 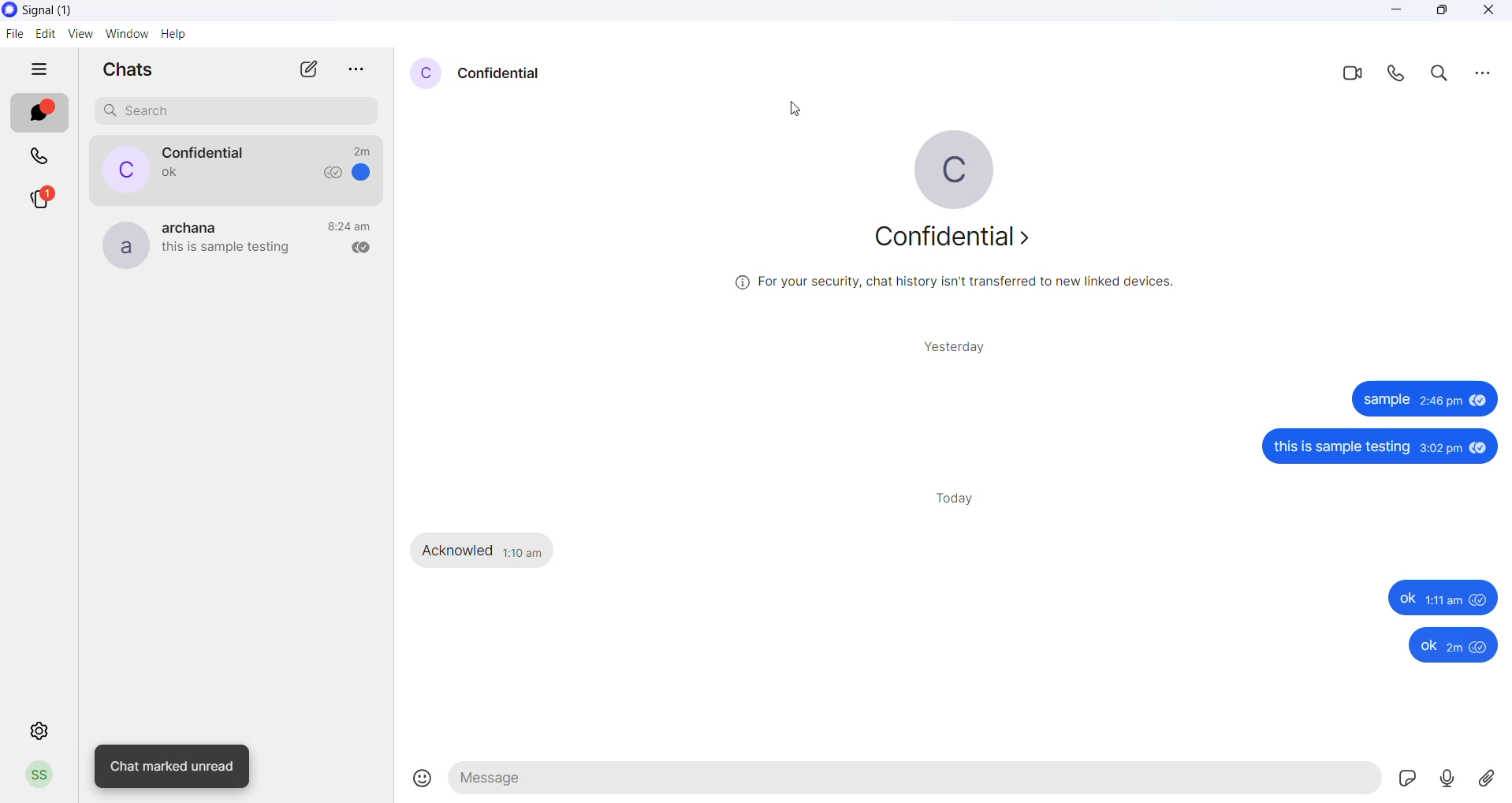 What do you see at coordinates (420, 780) in the screenshot?
I see `emojis` at bounding box center [420, 780].